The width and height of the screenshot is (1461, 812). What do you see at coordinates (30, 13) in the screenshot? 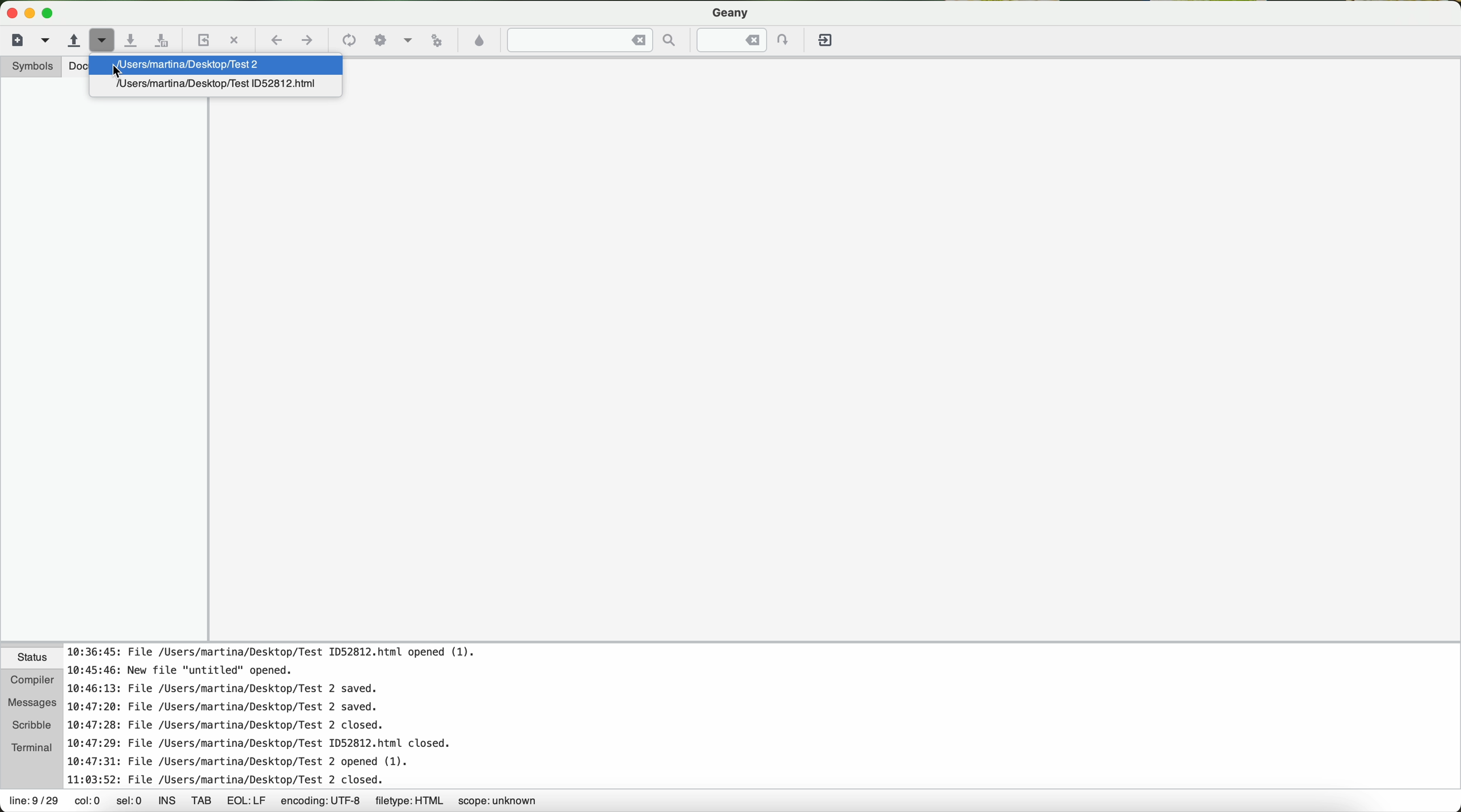
I see `minimize` at bounding box center [30, 13].